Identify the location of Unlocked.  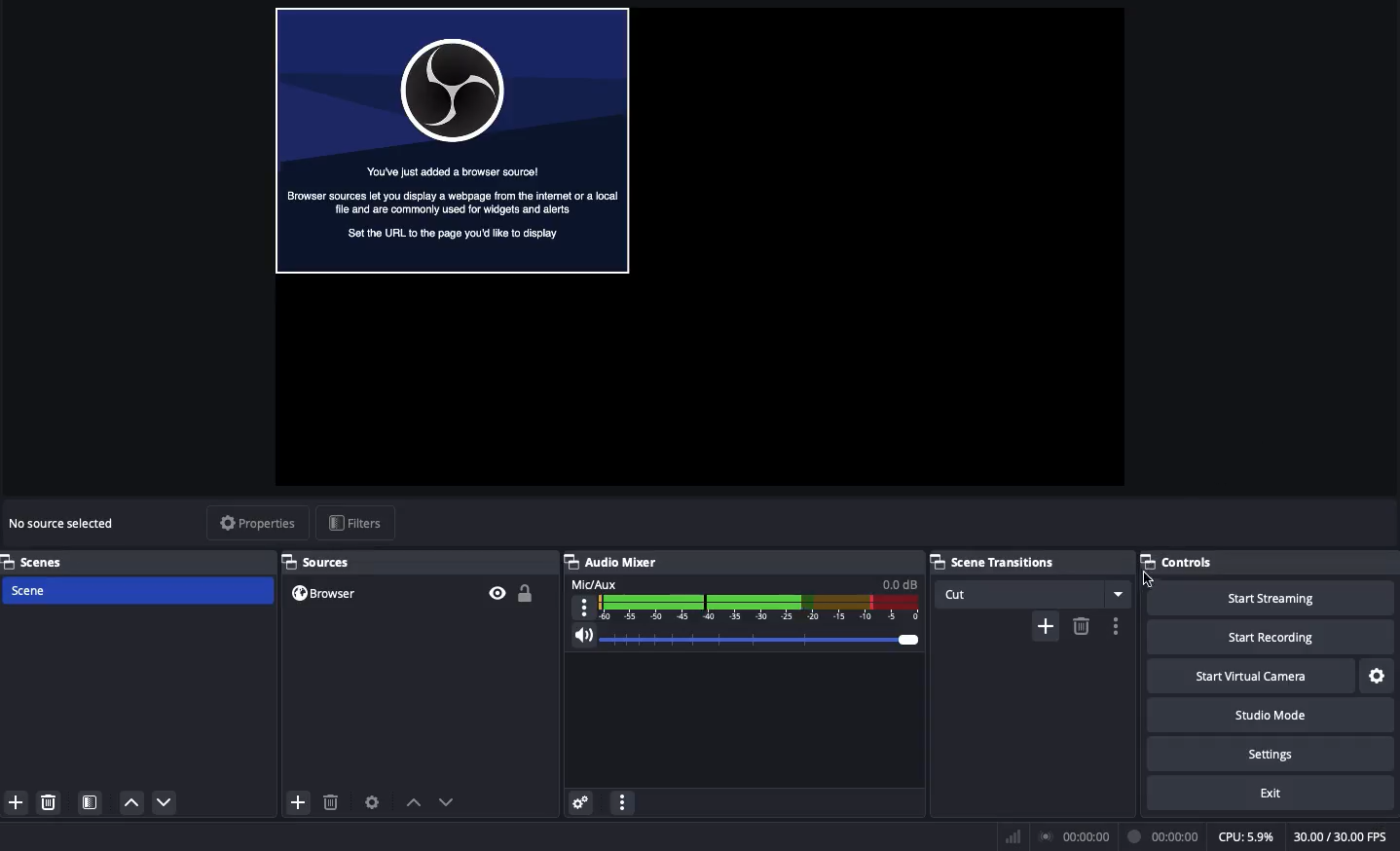
(527, 593).